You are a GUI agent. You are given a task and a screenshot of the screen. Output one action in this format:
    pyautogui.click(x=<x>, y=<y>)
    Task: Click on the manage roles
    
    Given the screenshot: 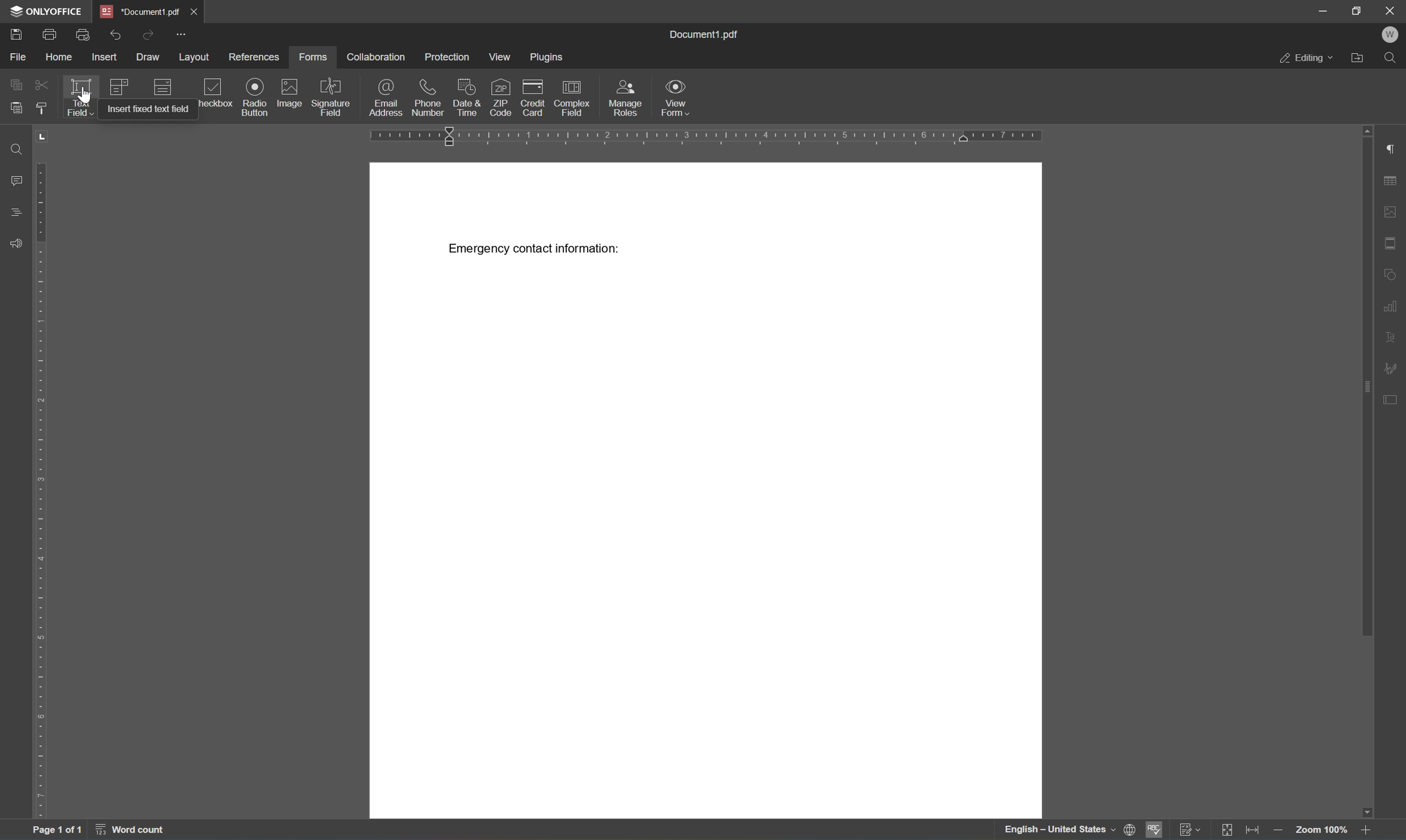 What is the action you would take?
    pyautogui.click(x=627, y=97)
    